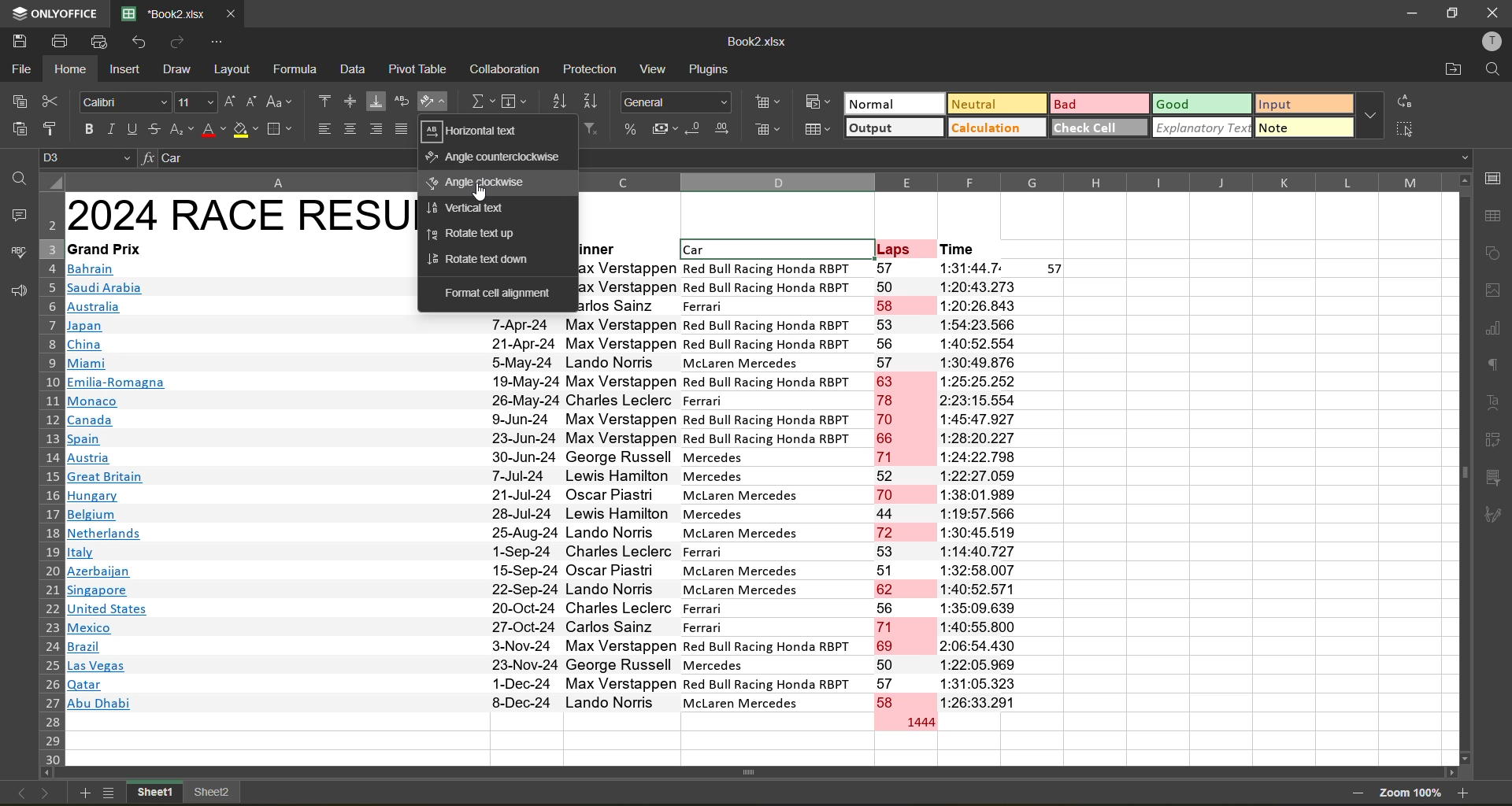 The image size is (1512, 806). What do you see at coordinates (712, 68) in the screenshot?
I see `plugins` at bounding box center [712, 68].